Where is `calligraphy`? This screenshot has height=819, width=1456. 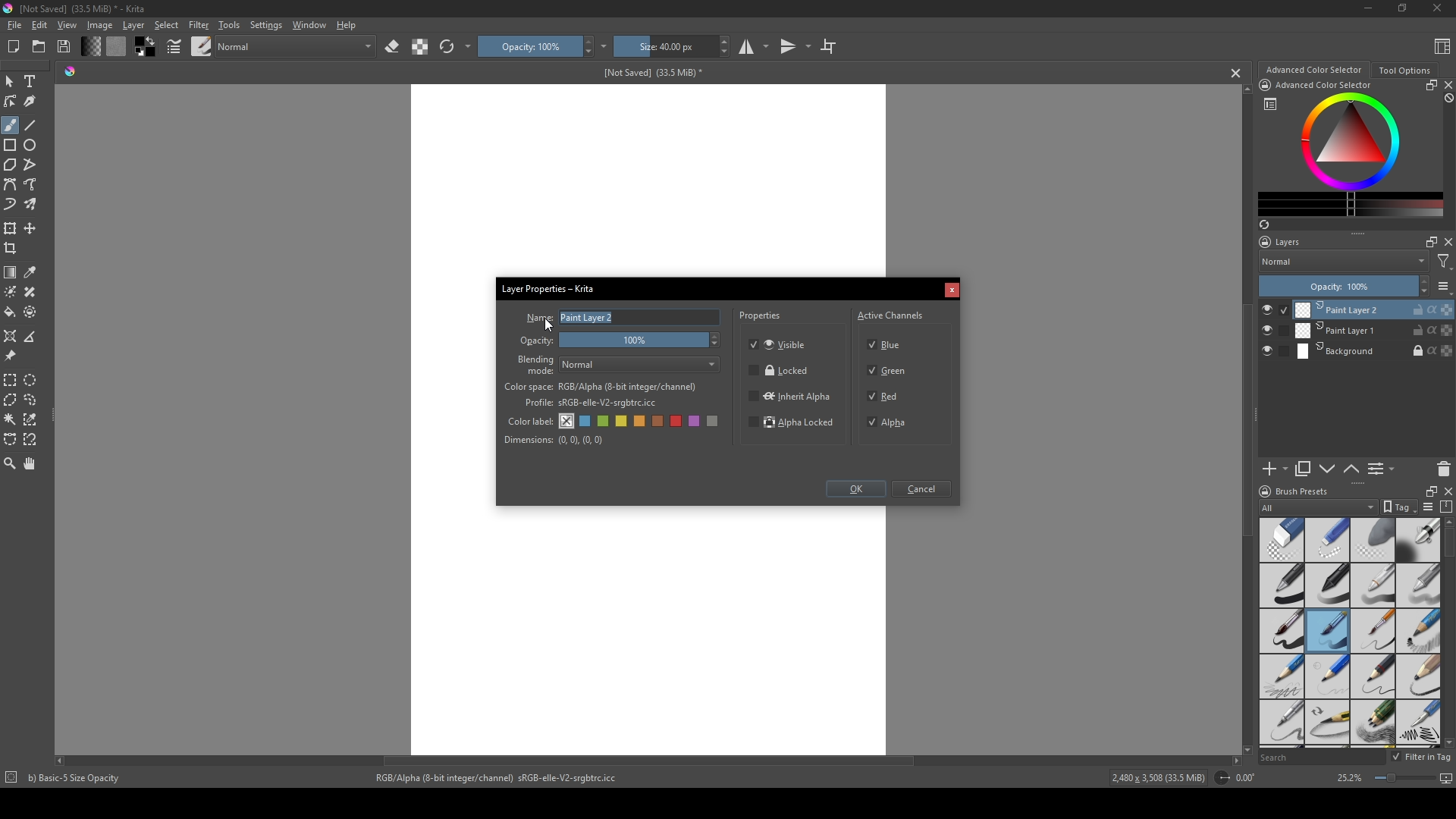 calligraphy is located at coordinates (32, 101).